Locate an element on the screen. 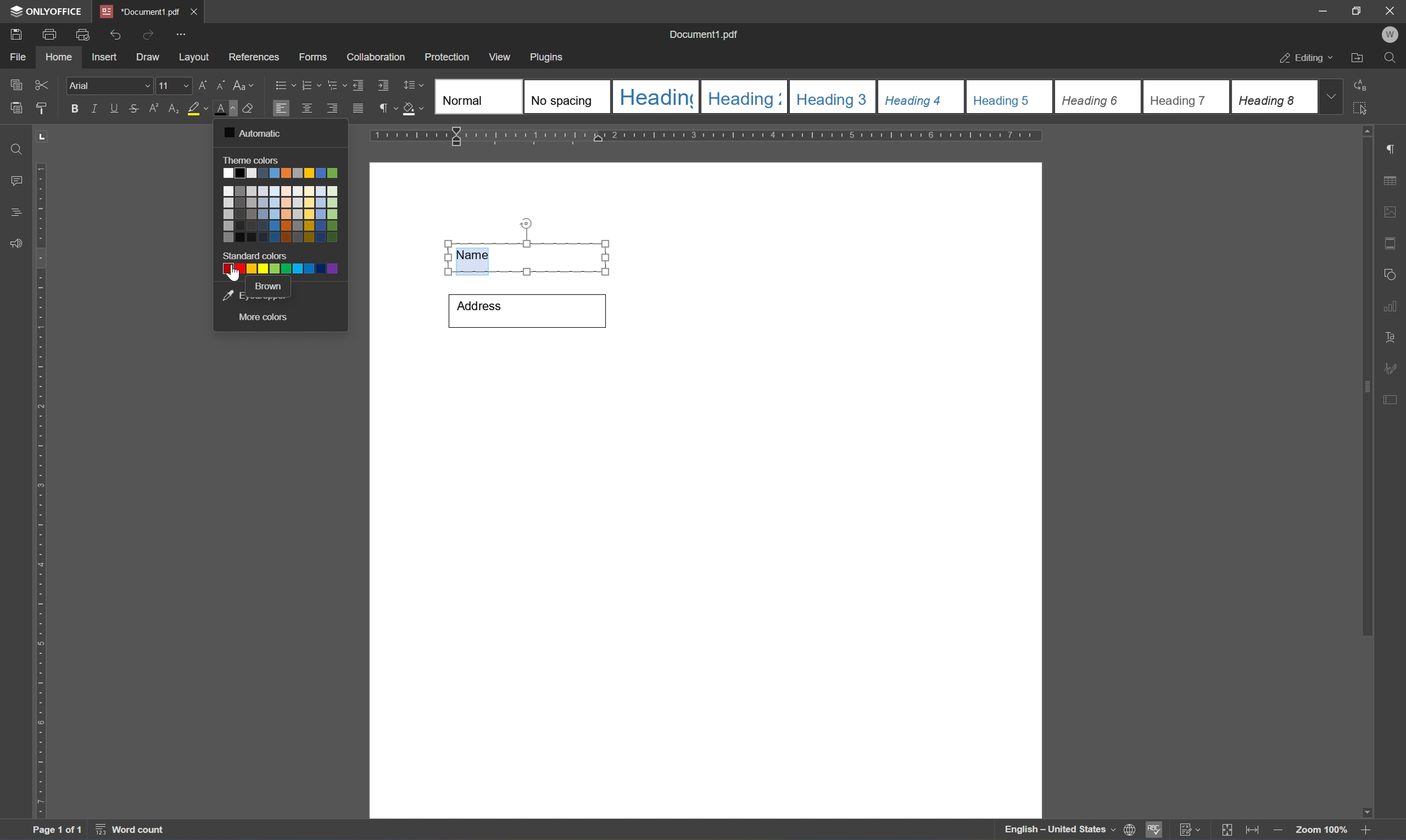 The height and width of the screenshot is (840, 1406). decrease indent is located at coordinates (358, 84).